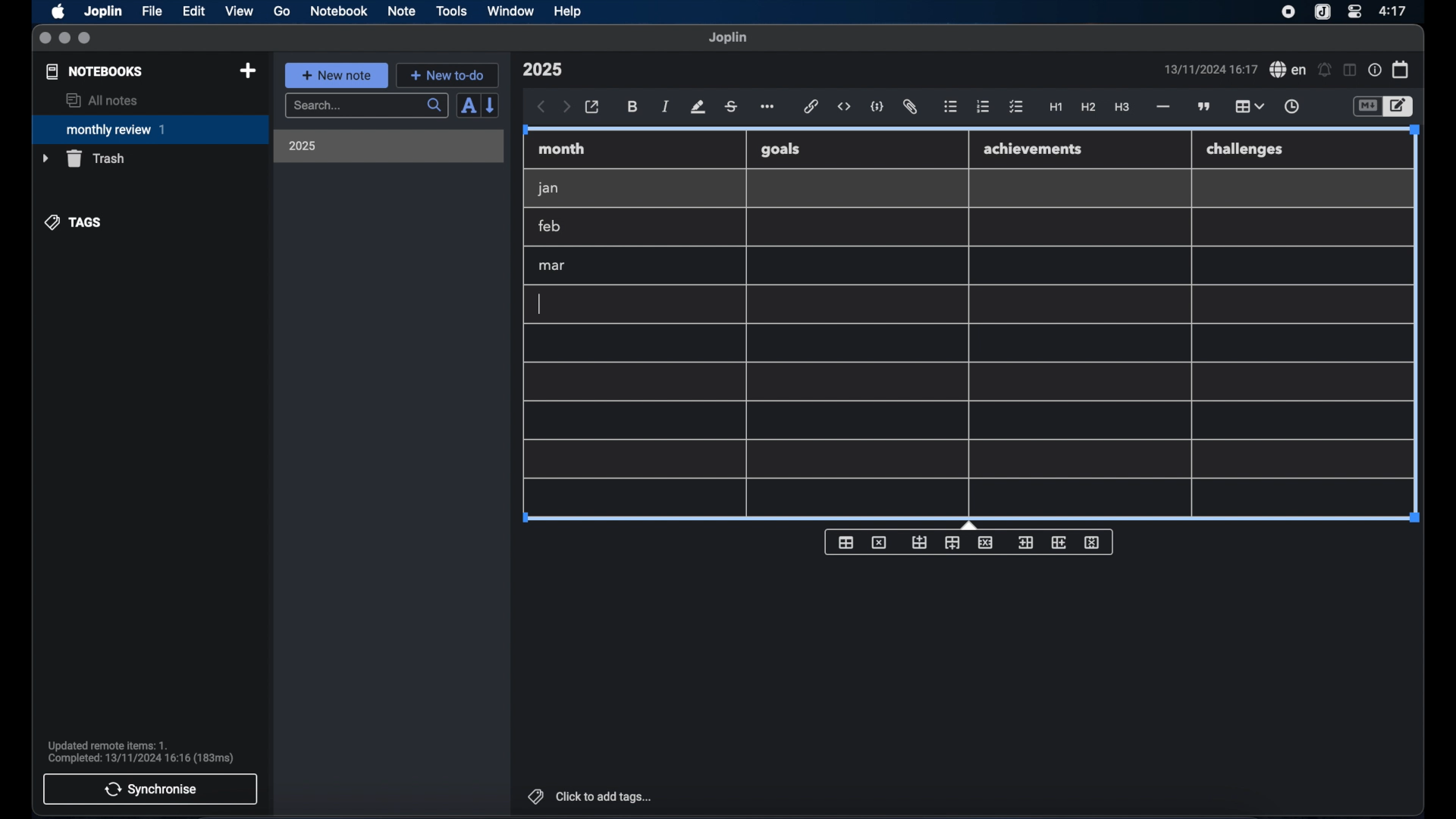  Describe the element at coordinates (1395, 11) in the screenshot. I see `time` at that location.